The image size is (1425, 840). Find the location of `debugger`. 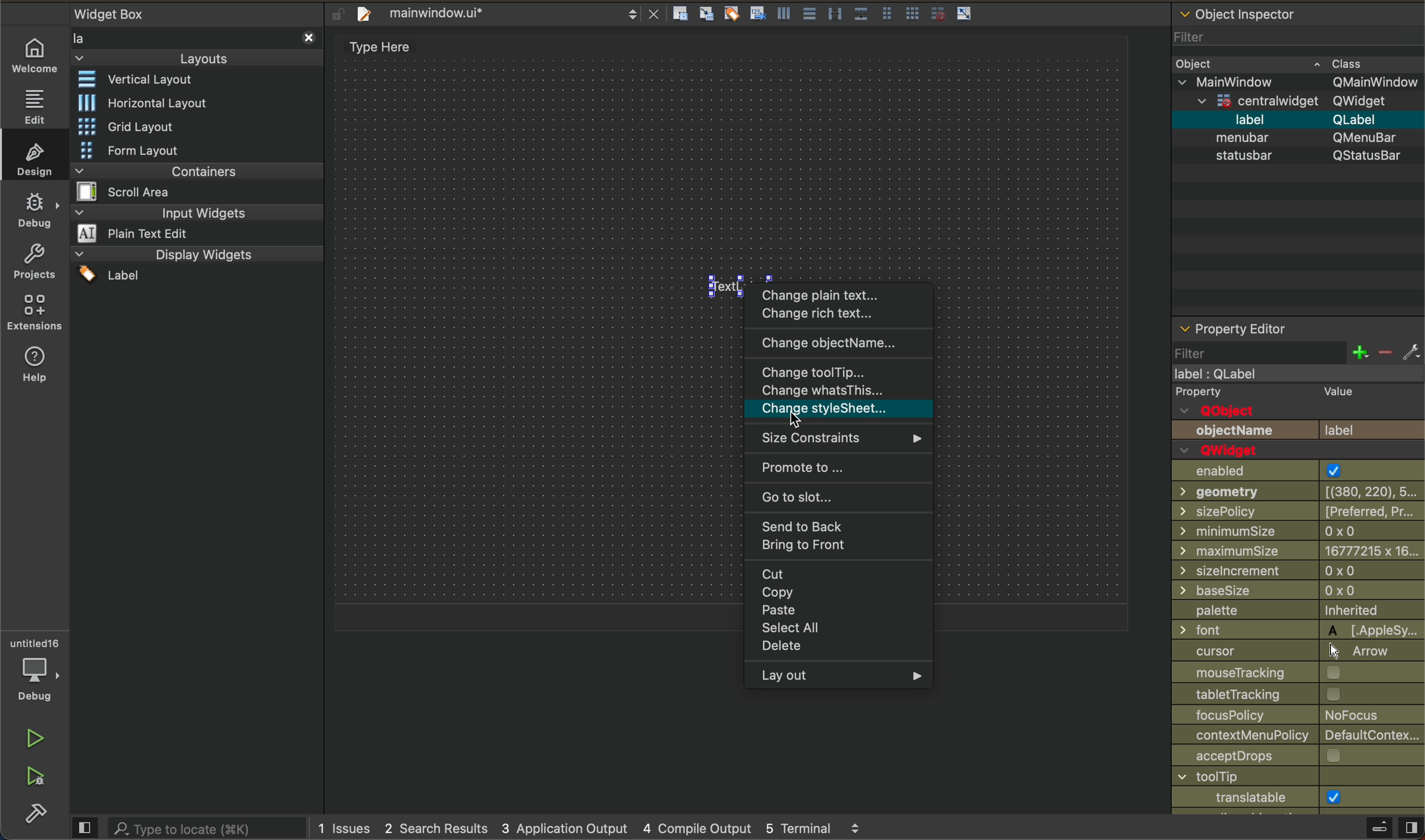

debugger is located at coordinates (38, 668).